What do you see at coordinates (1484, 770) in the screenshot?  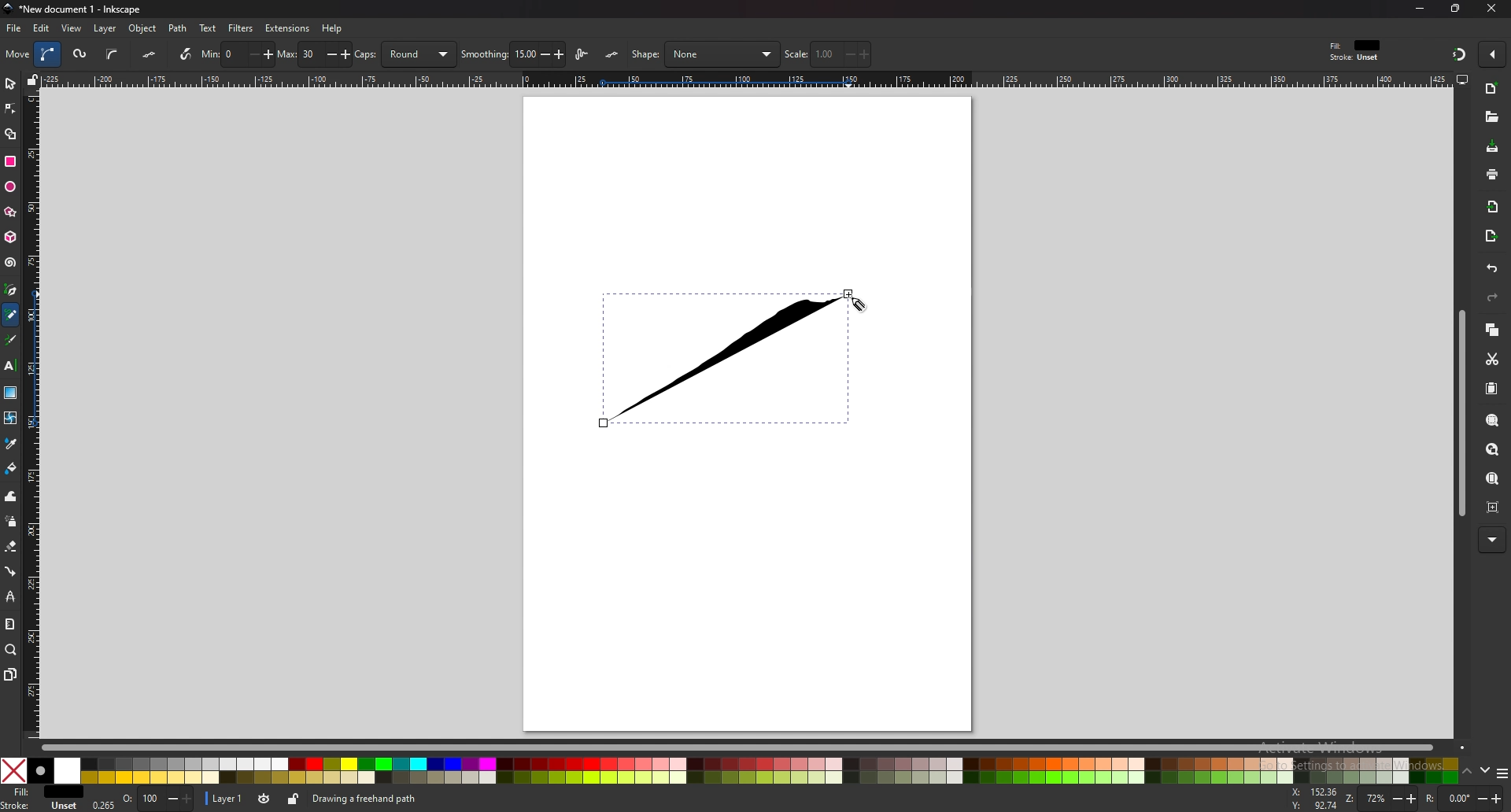 I see `down` at bounding box center [1484, 770].